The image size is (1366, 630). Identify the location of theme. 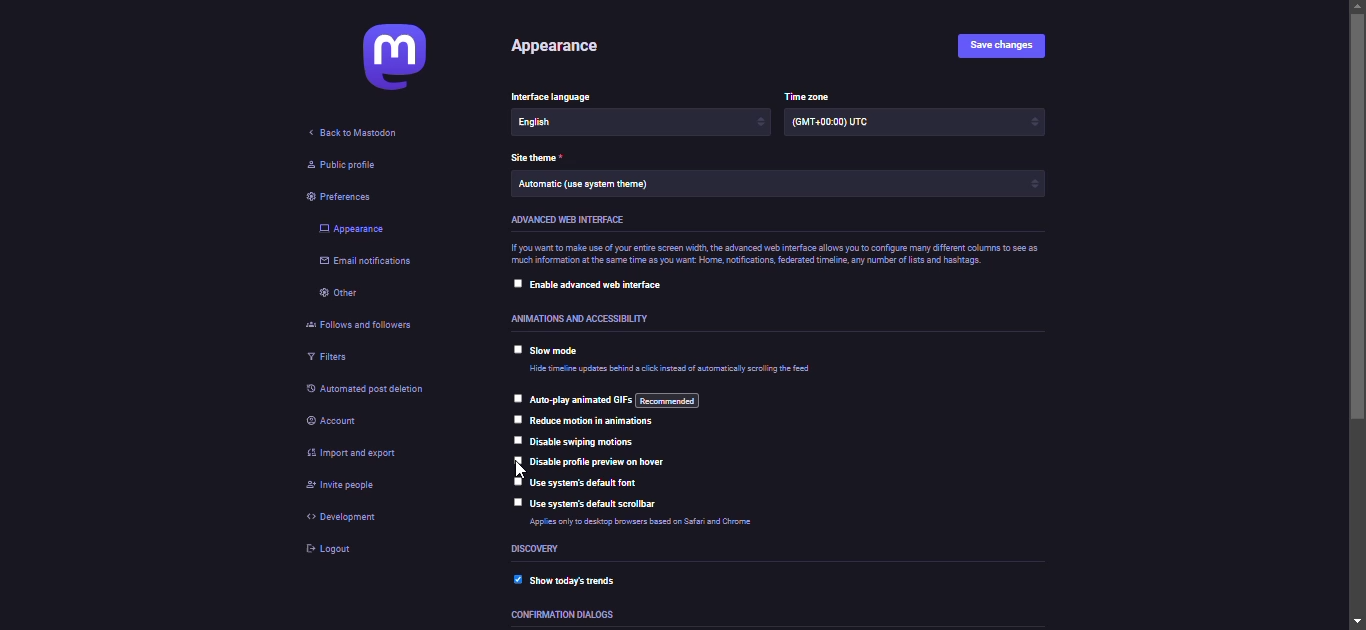
(592, 186).